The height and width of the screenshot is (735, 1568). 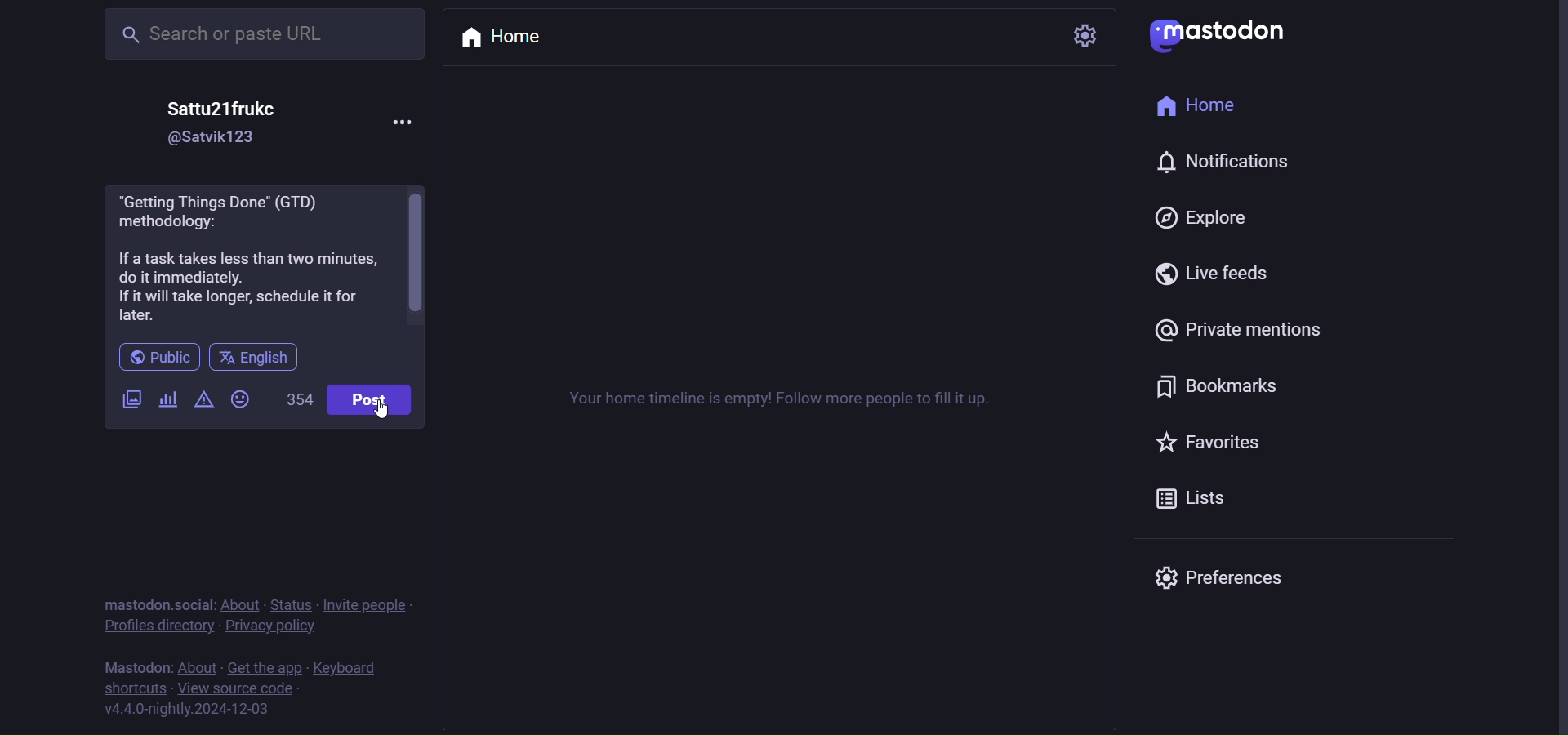 What do you see at coordinates (253, 359) in the screenshot?
I see `language` at bounding box center [253, 359].